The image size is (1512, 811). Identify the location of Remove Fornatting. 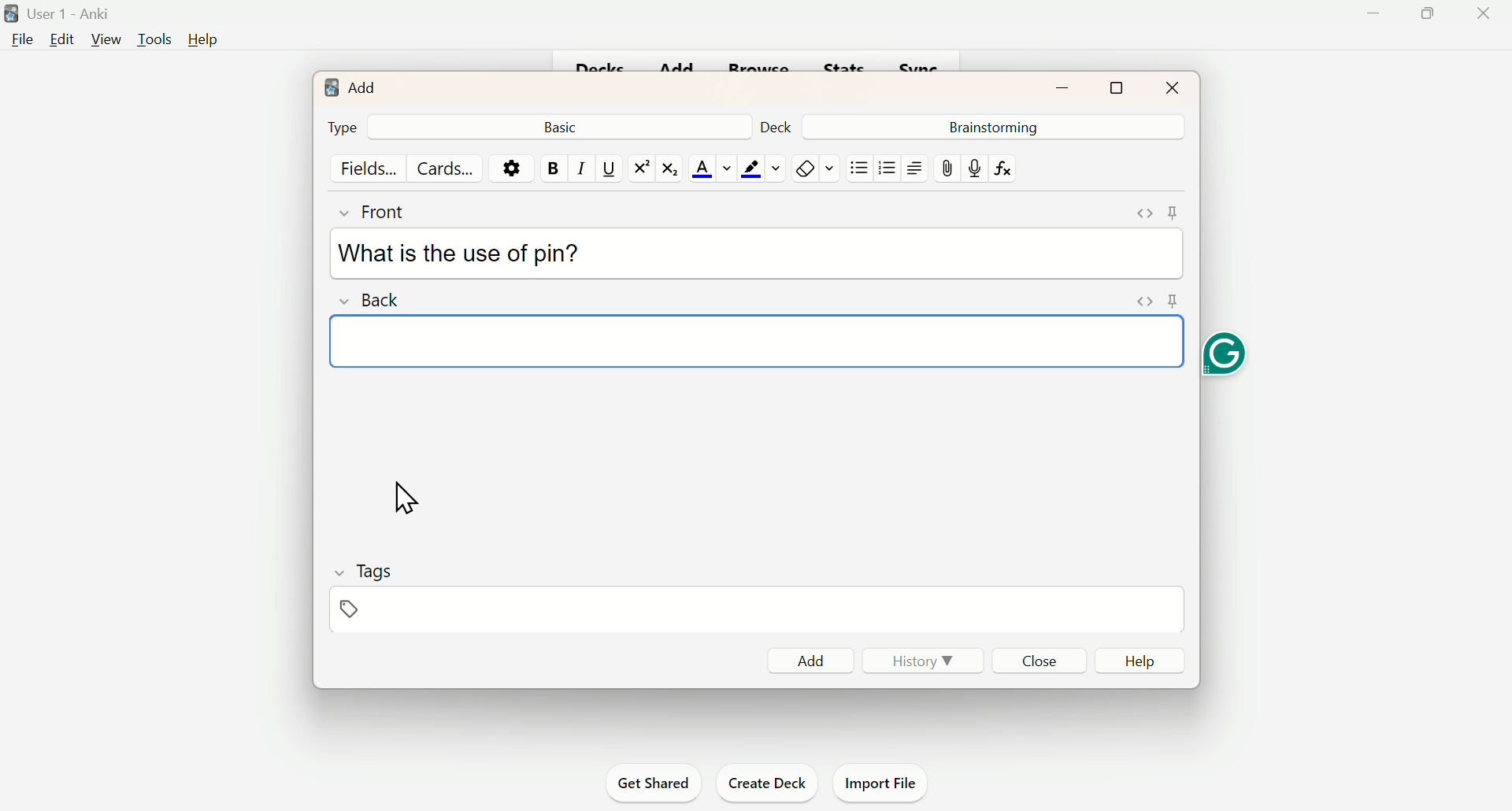
(803, 168).